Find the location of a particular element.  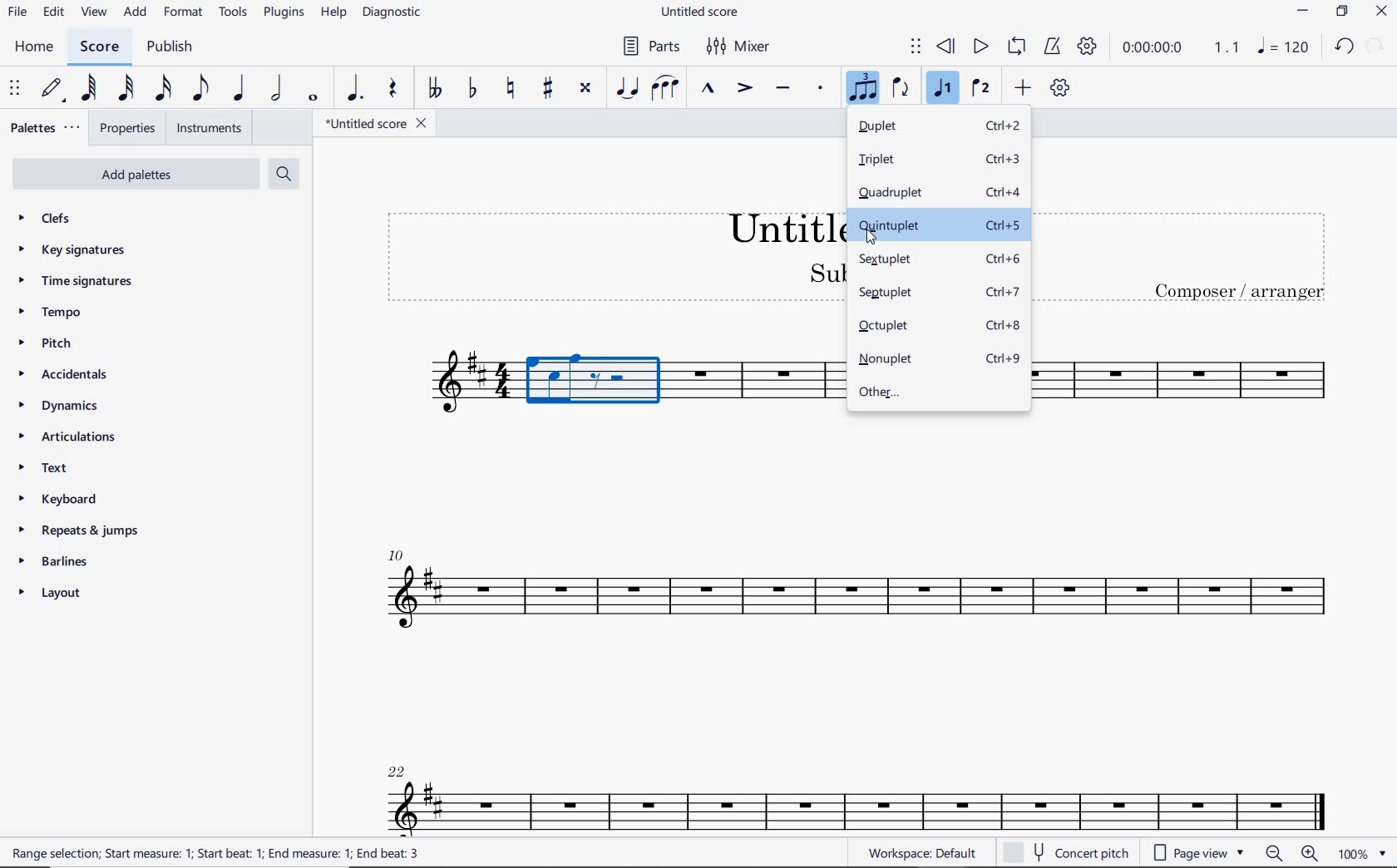

zoom factor is located at coordinates (1360, 852).